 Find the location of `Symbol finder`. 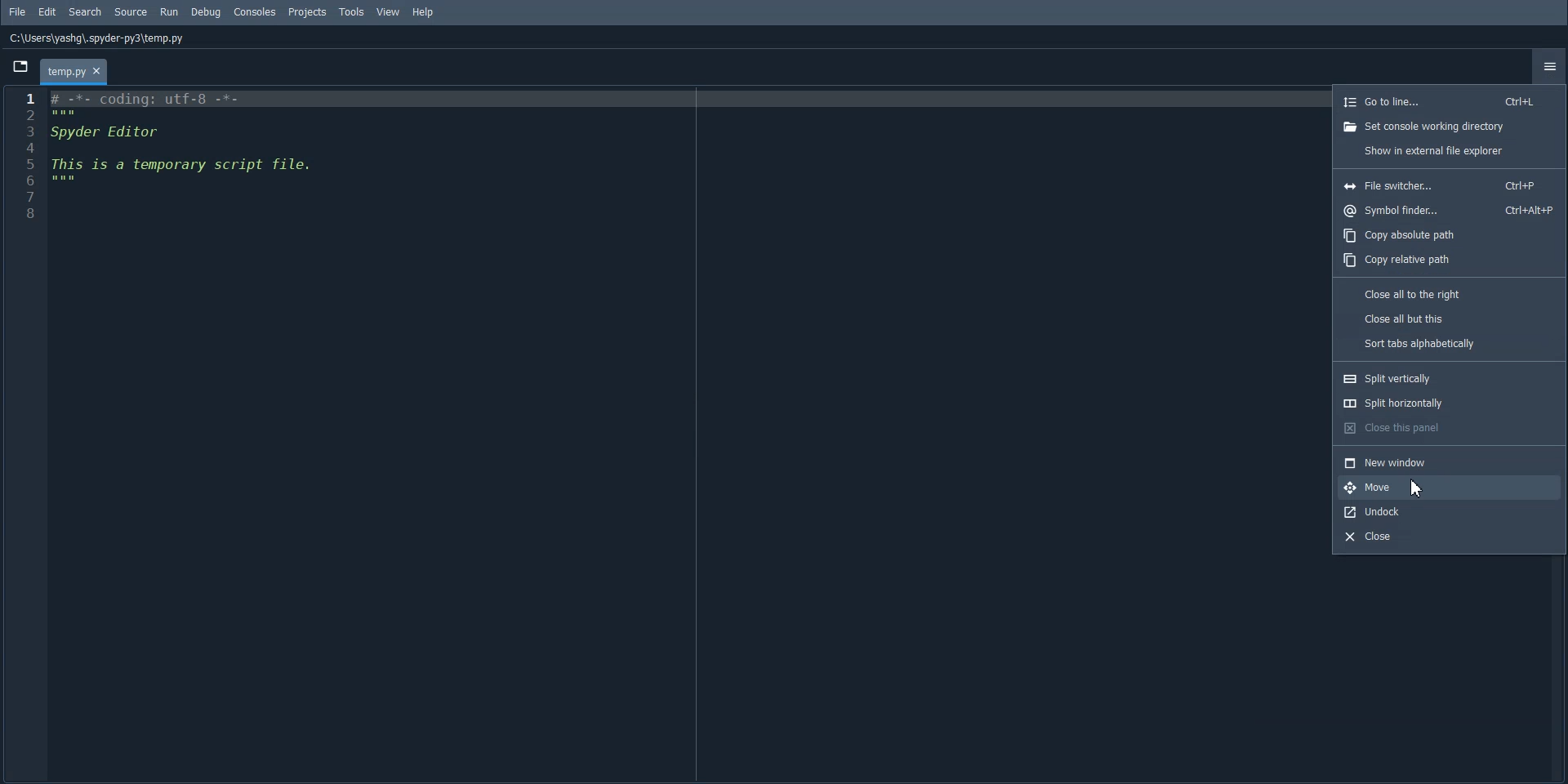

Symbol finder is located at coordinates (1449, 210).